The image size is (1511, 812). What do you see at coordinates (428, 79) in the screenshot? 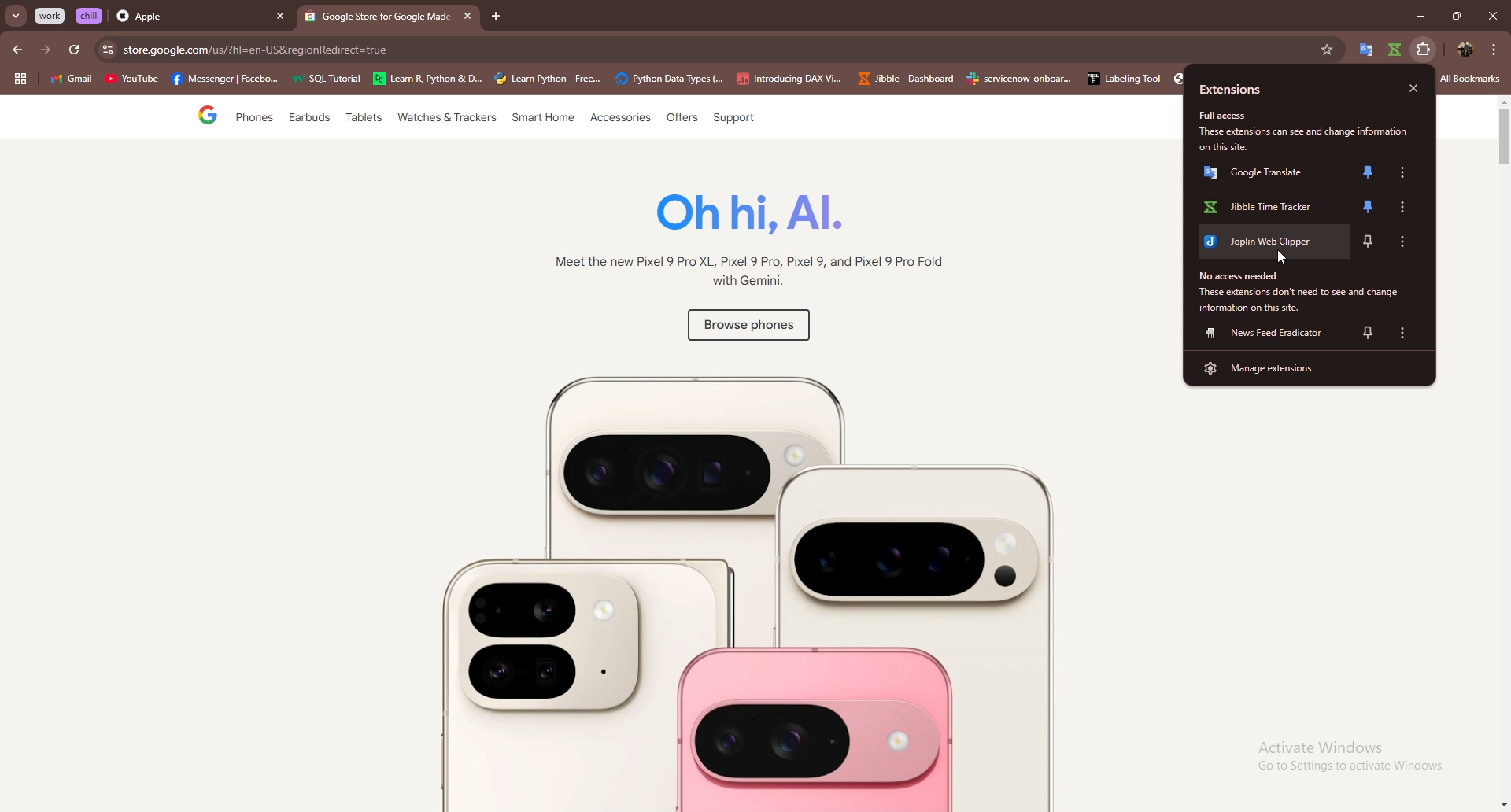
I see `Learn R &Pytho` at bounding box center [428, 79].